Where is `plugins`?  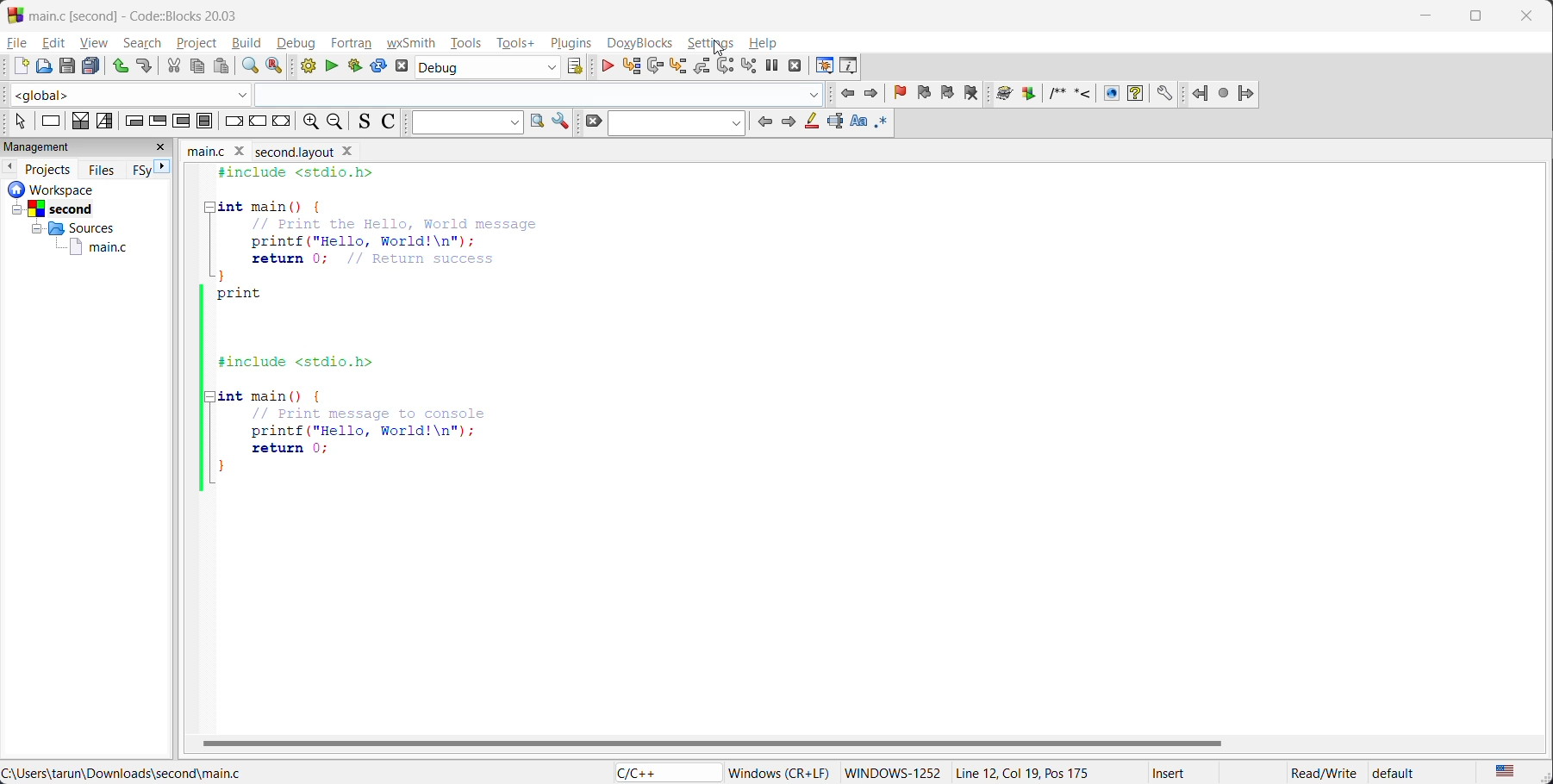 plugins is located at coordinates (571, 46).